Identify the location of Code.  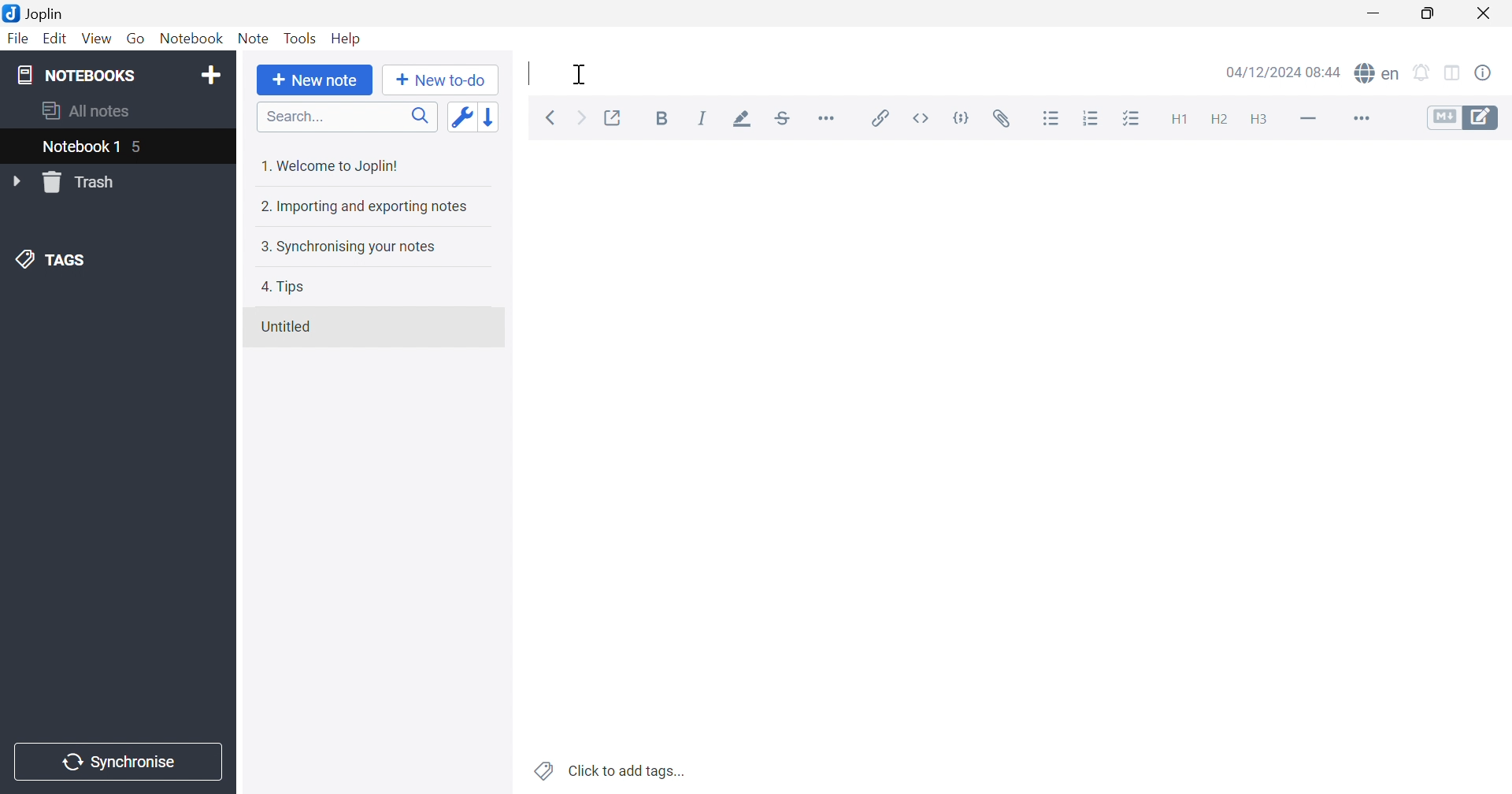
(960, 120).